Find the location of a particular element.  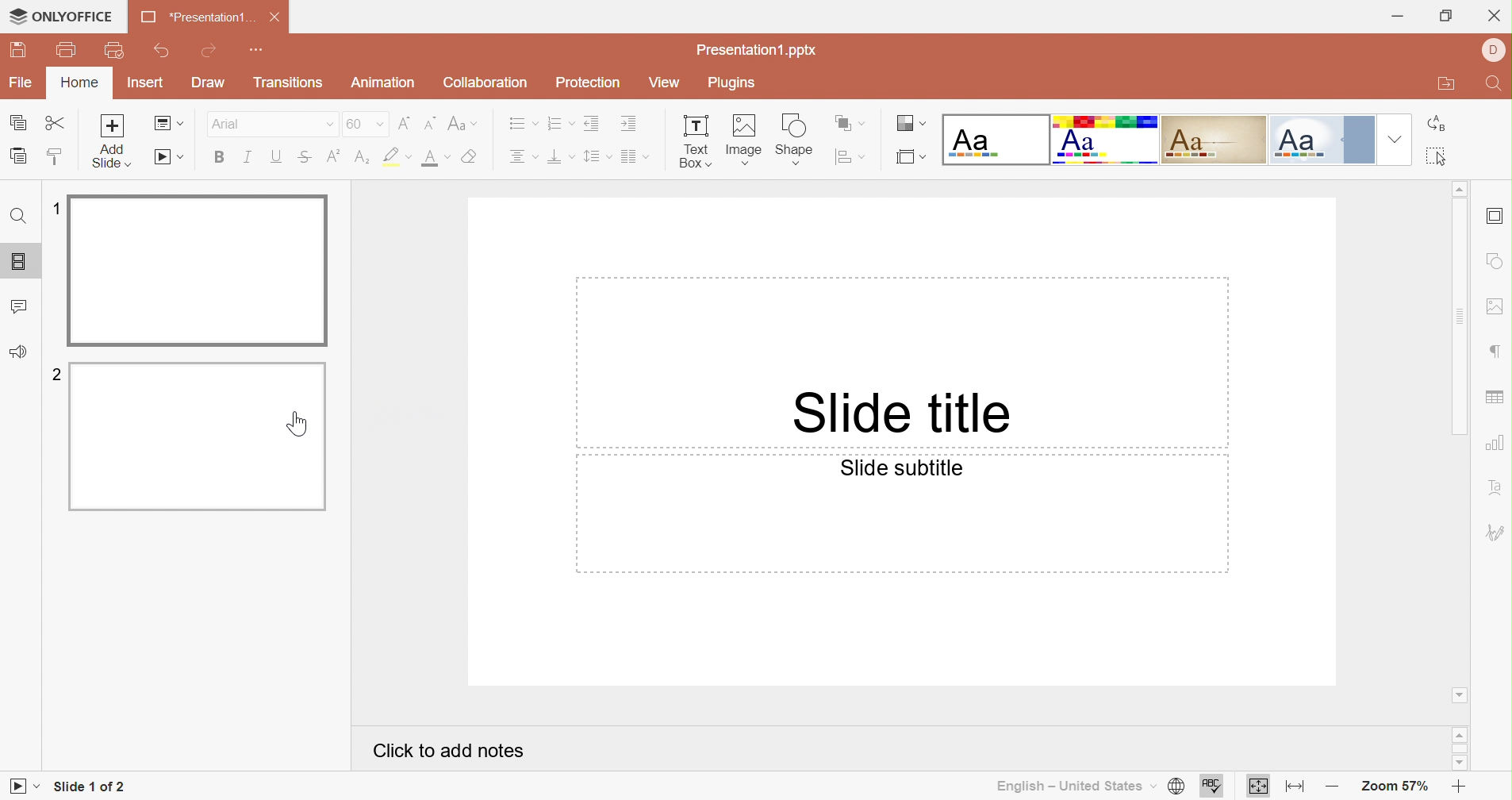

Copy Style is located at coordinates (56, 152).